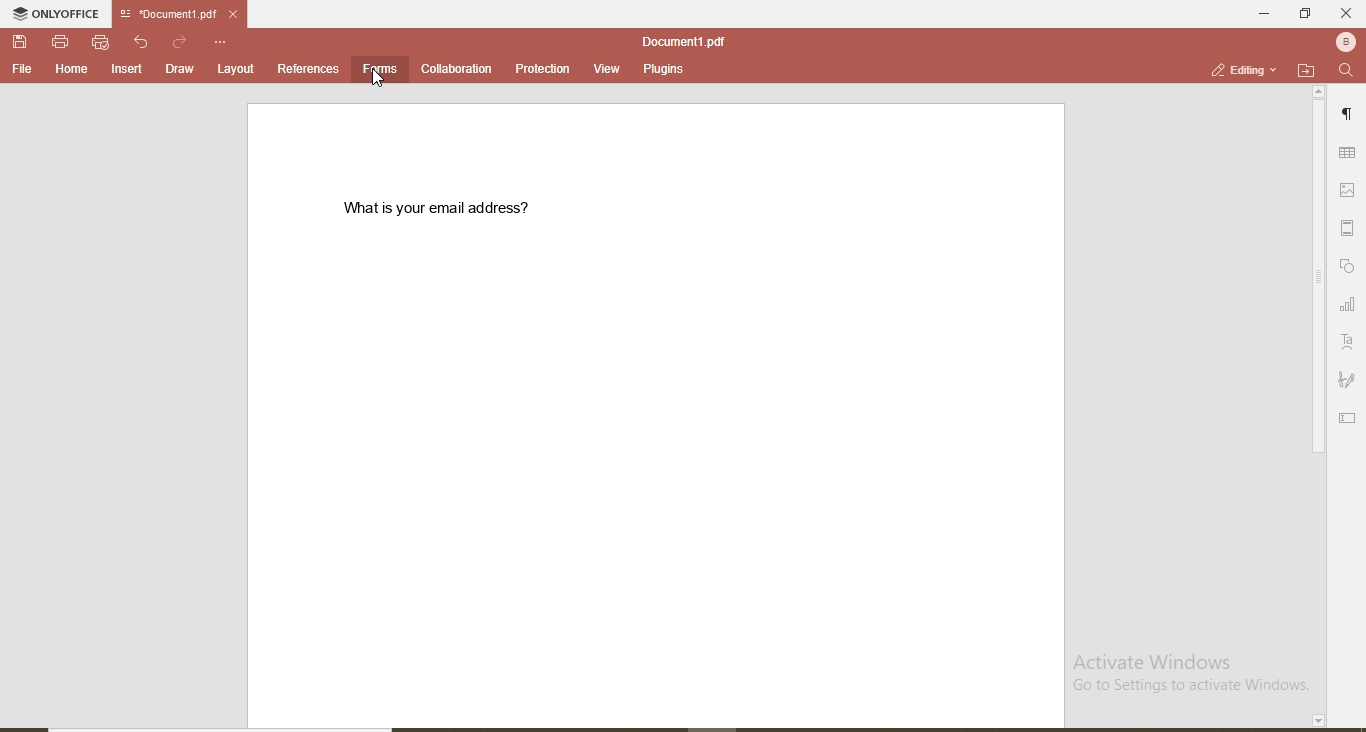 Image resolution: width=1366 pixels, height=732 pixels. I want to click on edit text, so click(1350, 416).